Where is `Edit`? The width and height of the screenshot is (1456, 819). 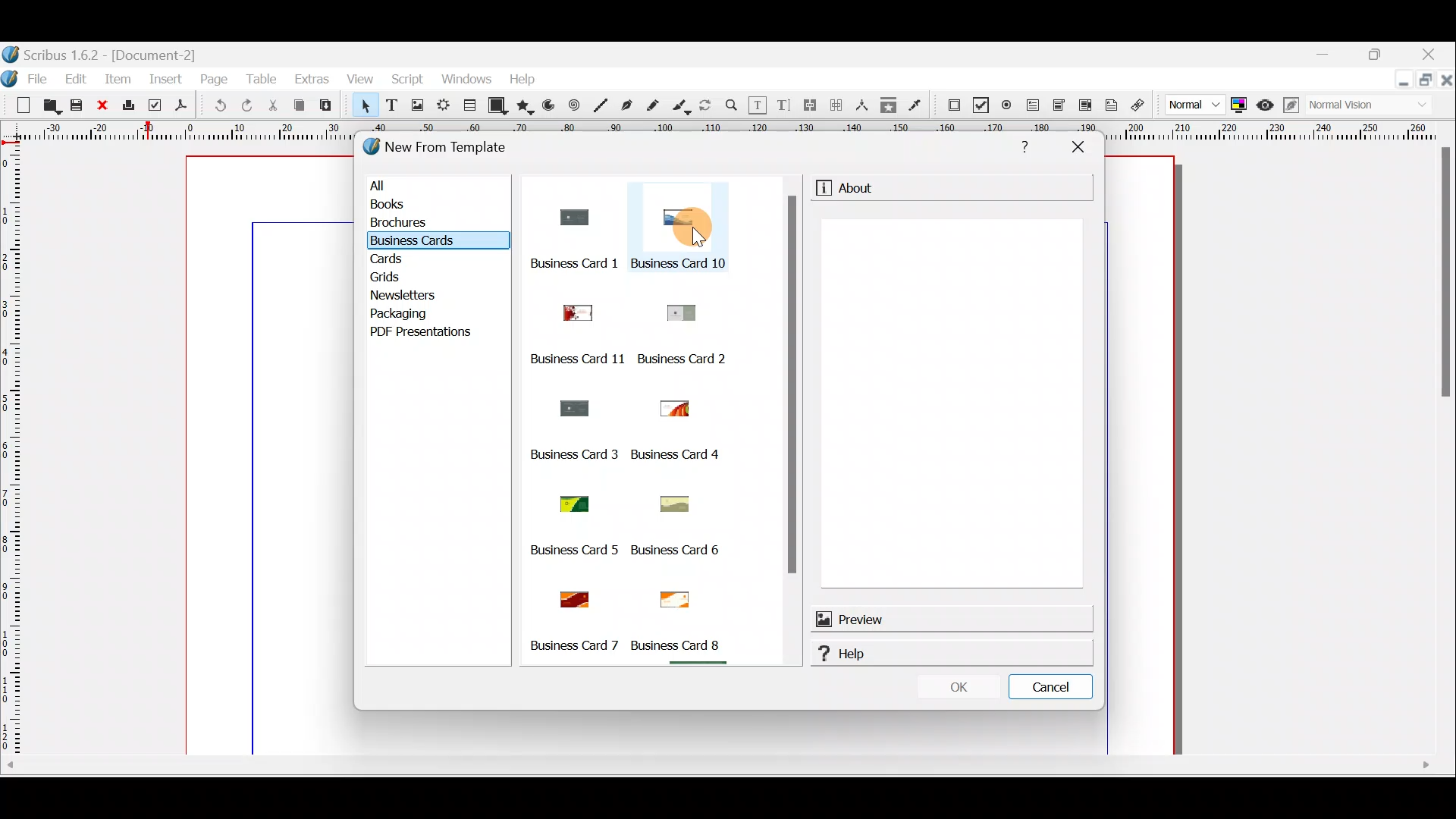
Edit is located at coordinates (76, 80).